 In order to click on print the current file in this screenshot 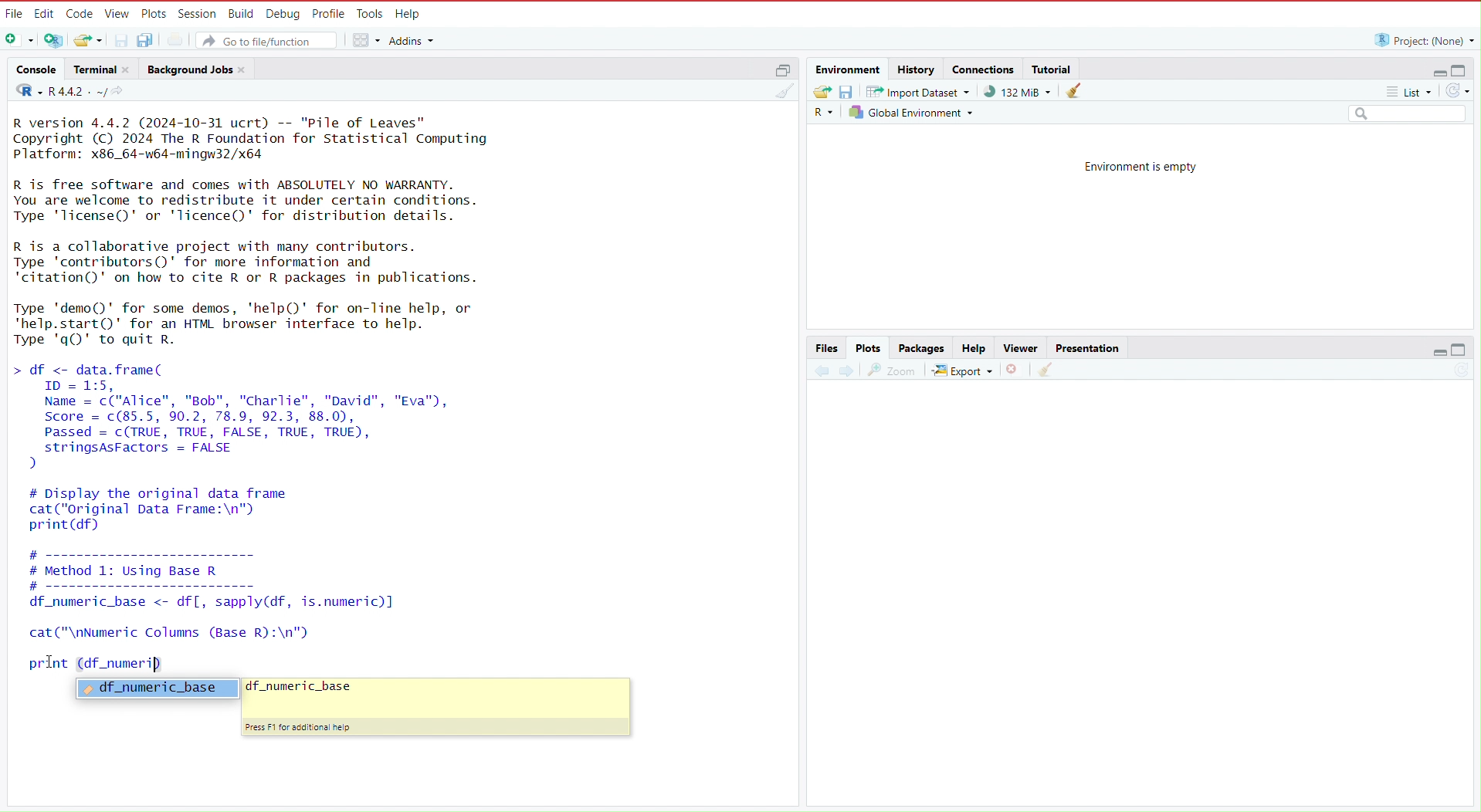, I will do `click(175, 41)`.